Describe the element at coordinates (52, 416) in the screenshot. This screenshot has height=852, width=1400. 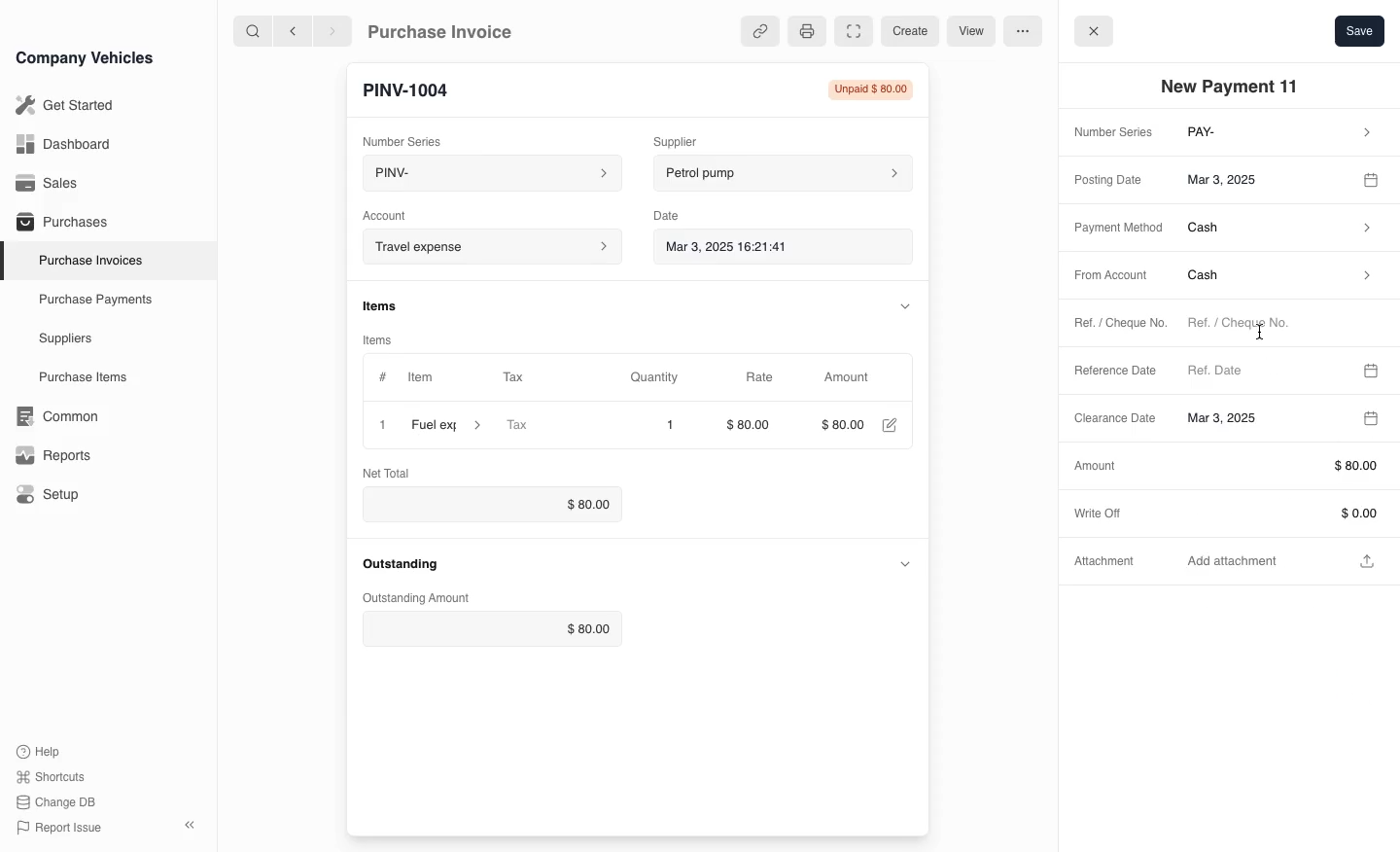
I see `Common` at that location.